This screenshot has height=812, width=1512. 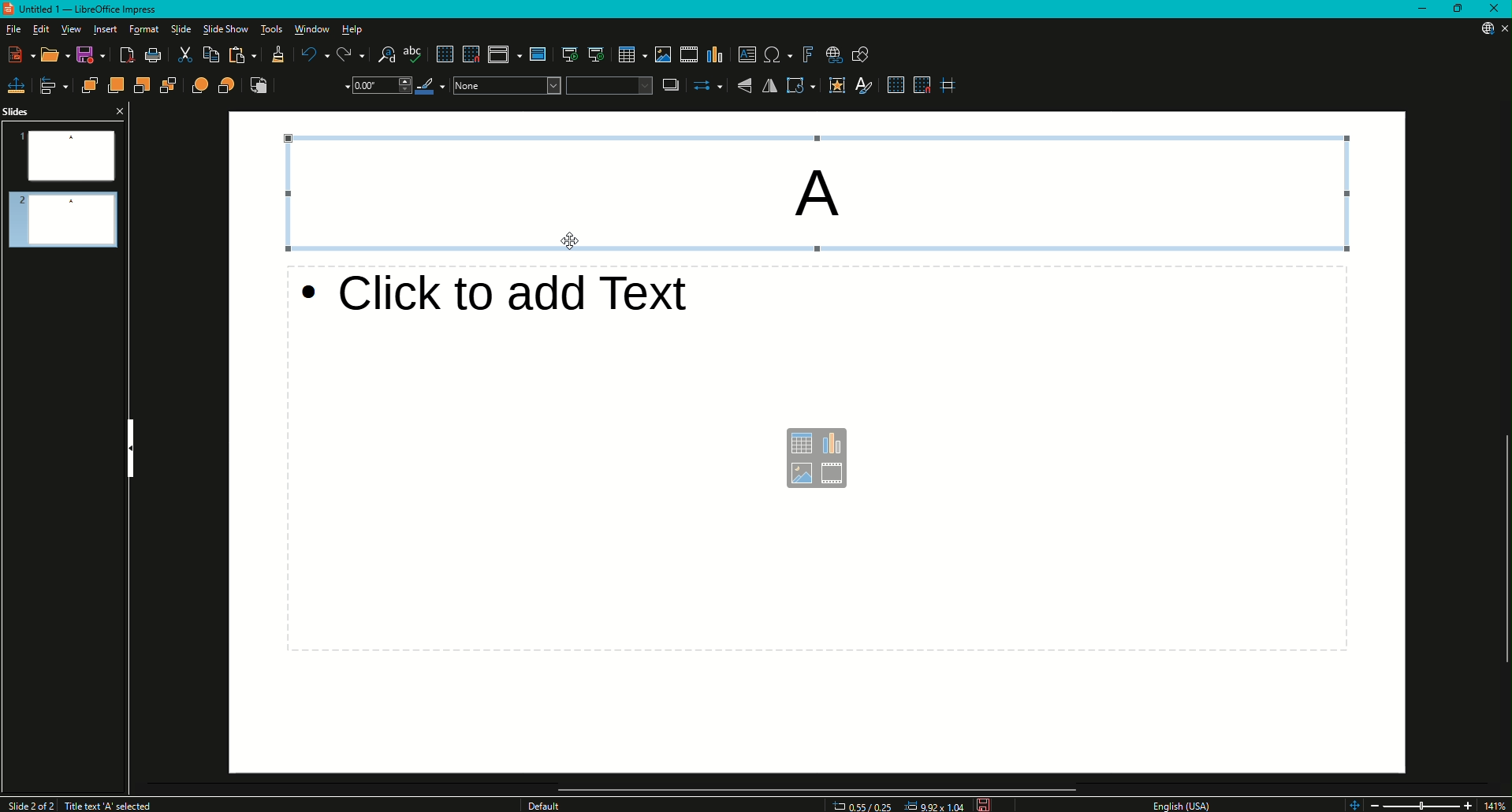 I want to click on Send Backward, so click(x=142, y=85).